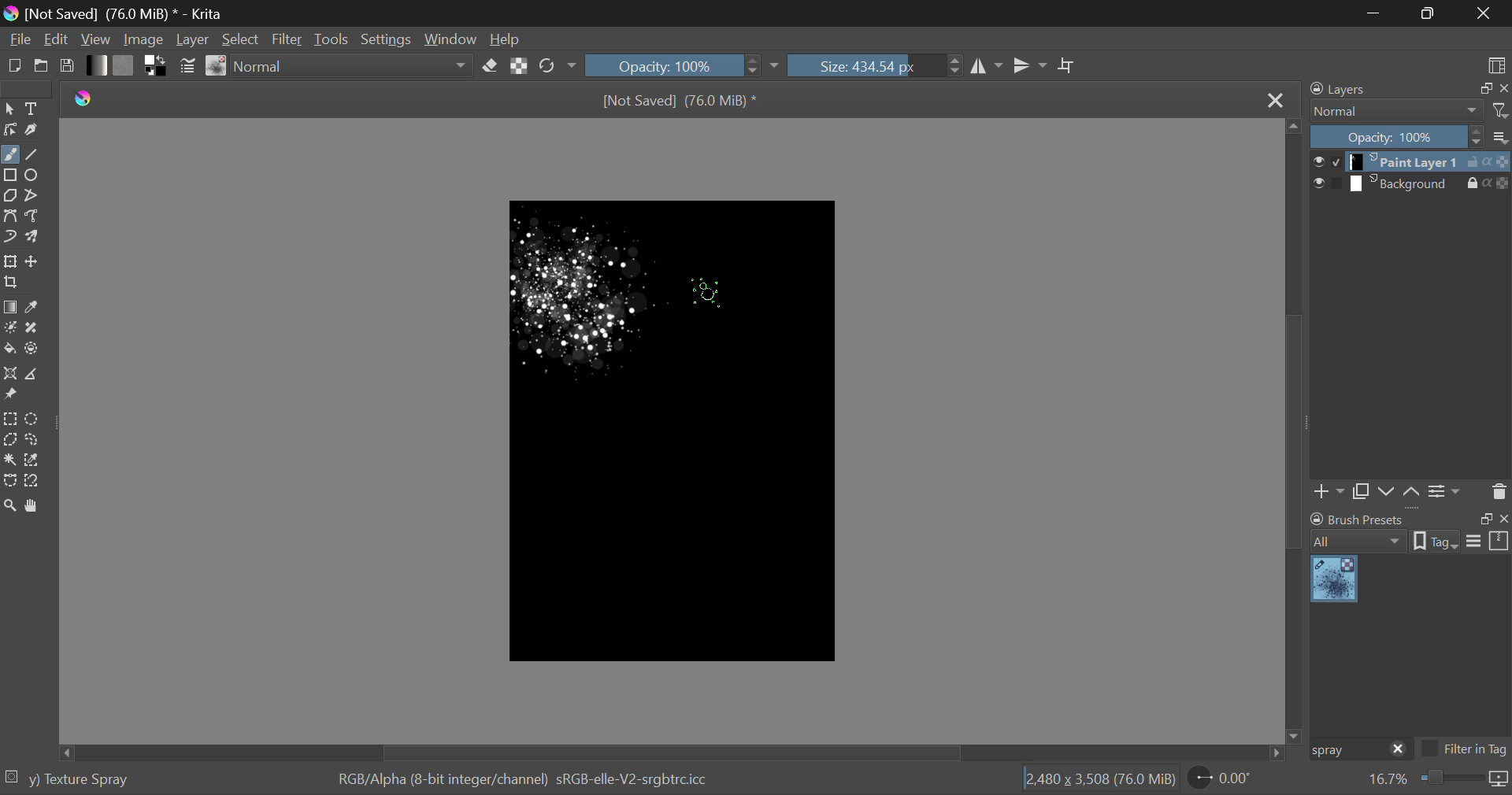  What do you see at coordinates (1221, 777) in the screenshot?
I see `page rotation` at bounding box center [1221, 777].